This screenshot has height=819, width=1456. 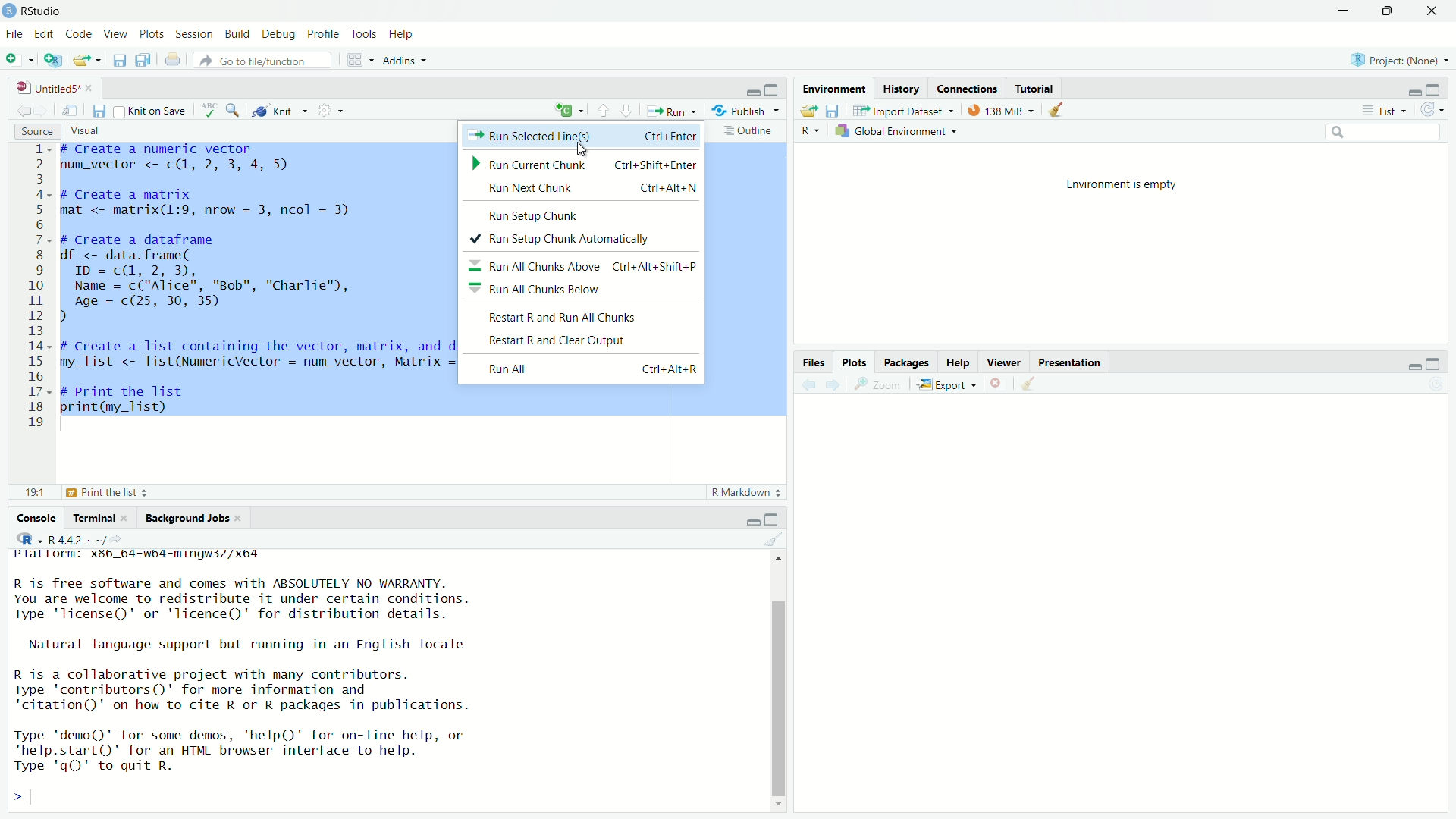 I want to click on Addins, so click(x=405, y=61).